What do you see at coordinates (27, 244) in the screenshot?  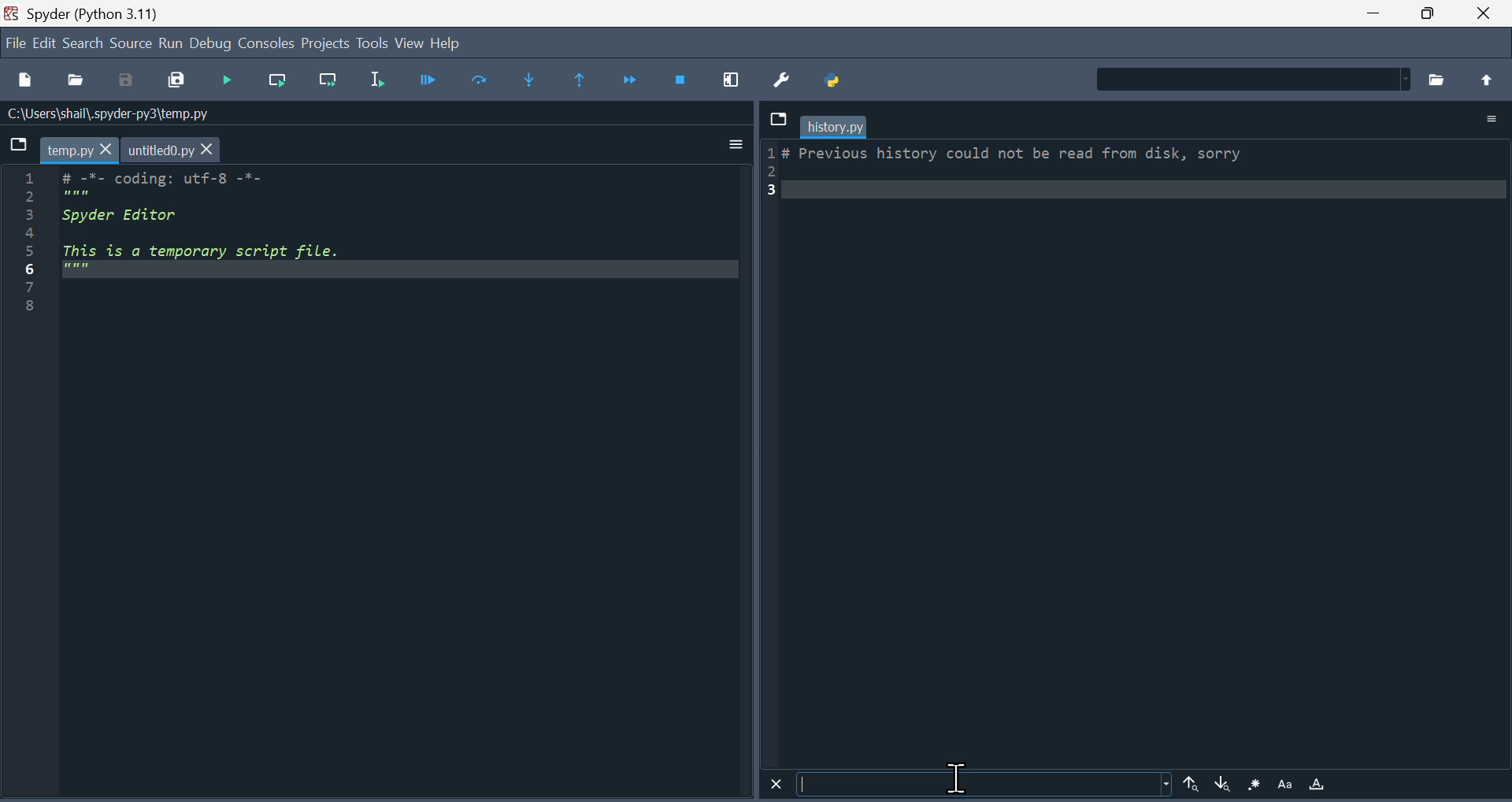 I see `serial numbers 1-8` at bounding box center [27, 244].